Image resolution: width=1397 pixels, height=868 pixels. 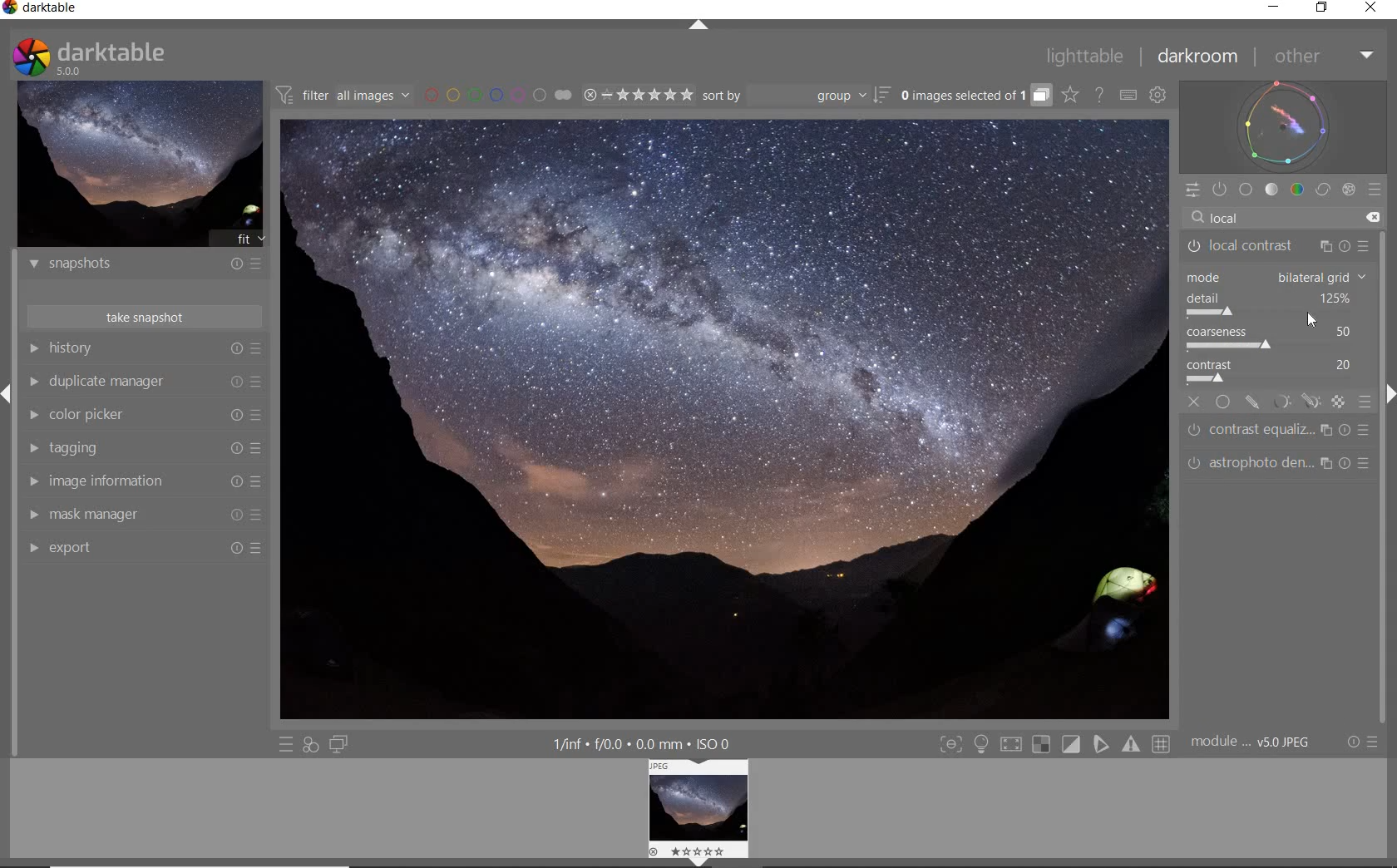 What do you see at coordinates (235, 481) in the screenshot?
I see `Reset` at bounding box center [235, 481].